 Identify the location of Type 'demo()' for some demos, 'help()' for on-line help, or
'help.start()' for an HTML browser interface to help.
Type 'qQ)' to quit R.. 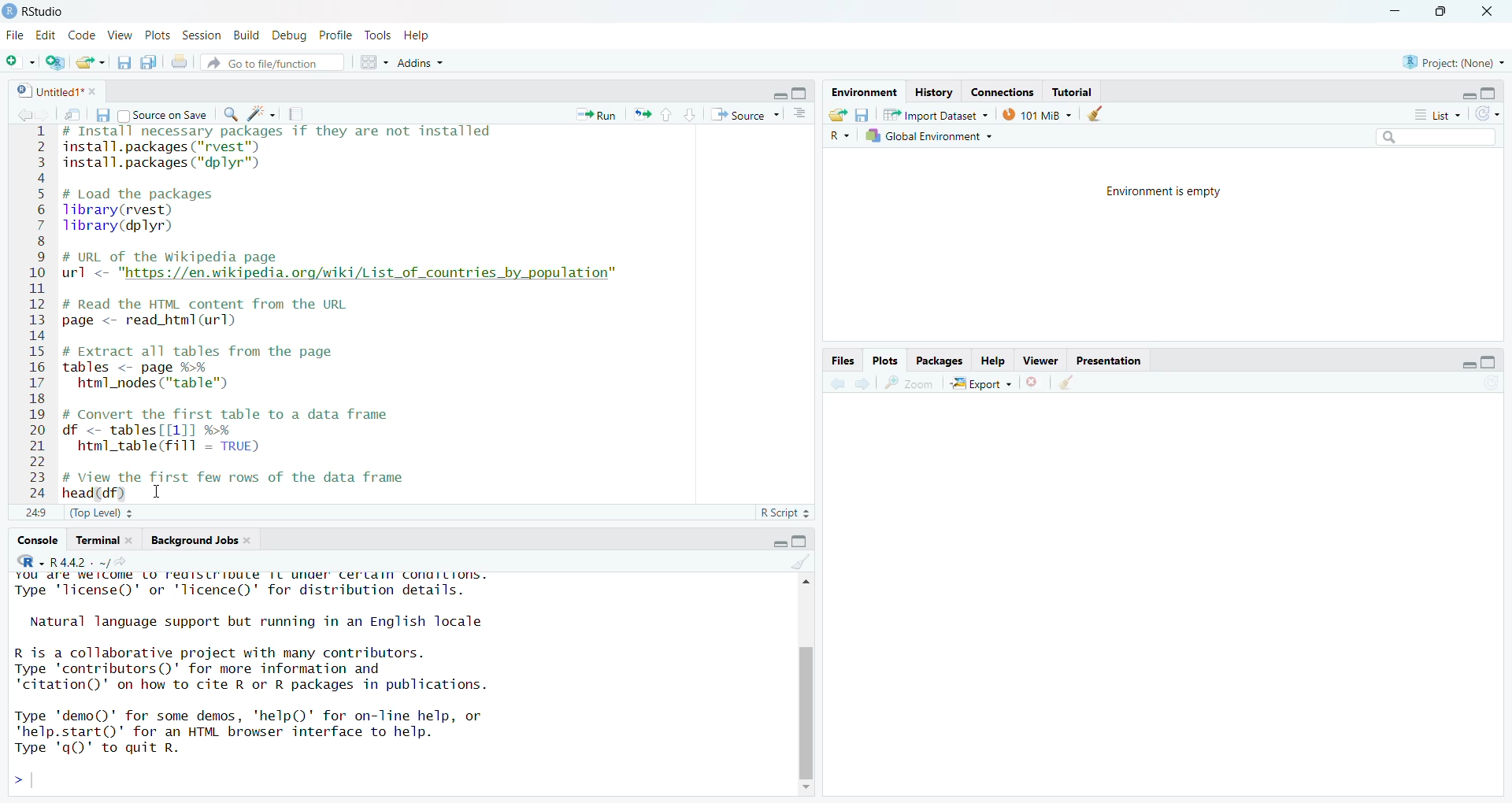
(254, 736).